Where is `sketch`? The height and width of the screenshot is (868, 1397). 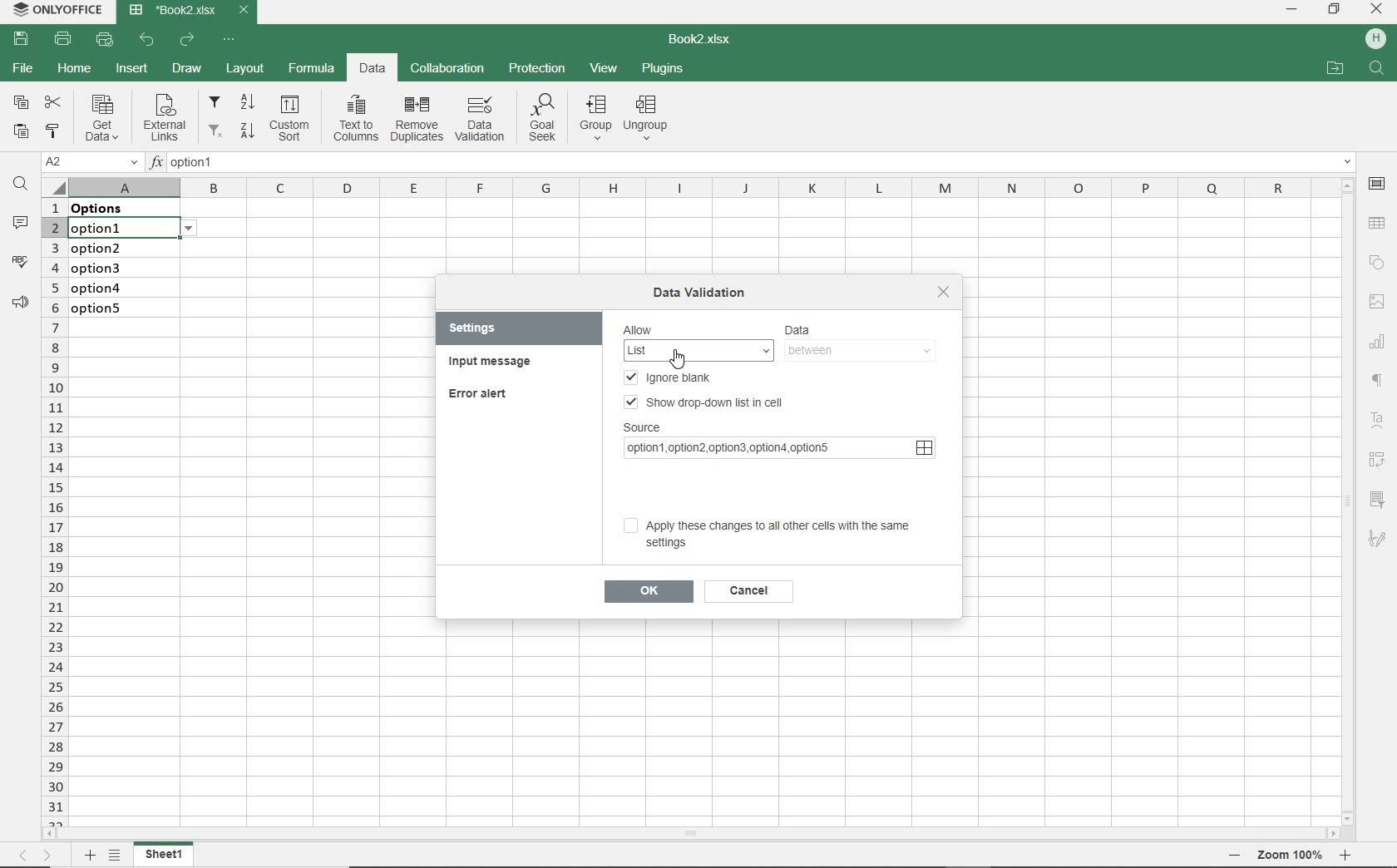
sketch is located at coordinates (1380, 540).